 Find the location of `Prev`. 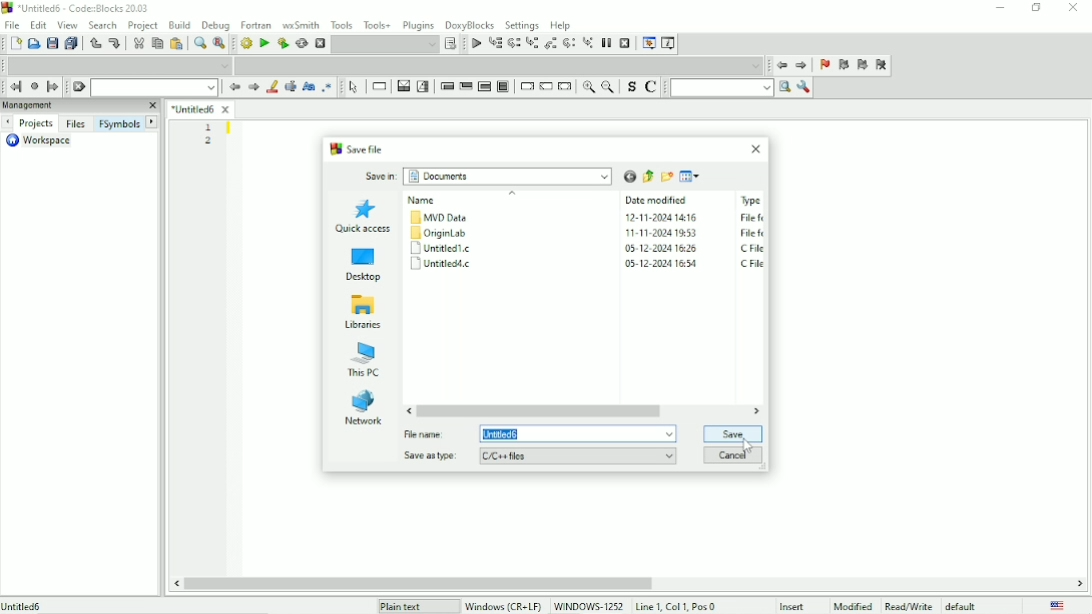

Prev is located at coordinates (7, 123).